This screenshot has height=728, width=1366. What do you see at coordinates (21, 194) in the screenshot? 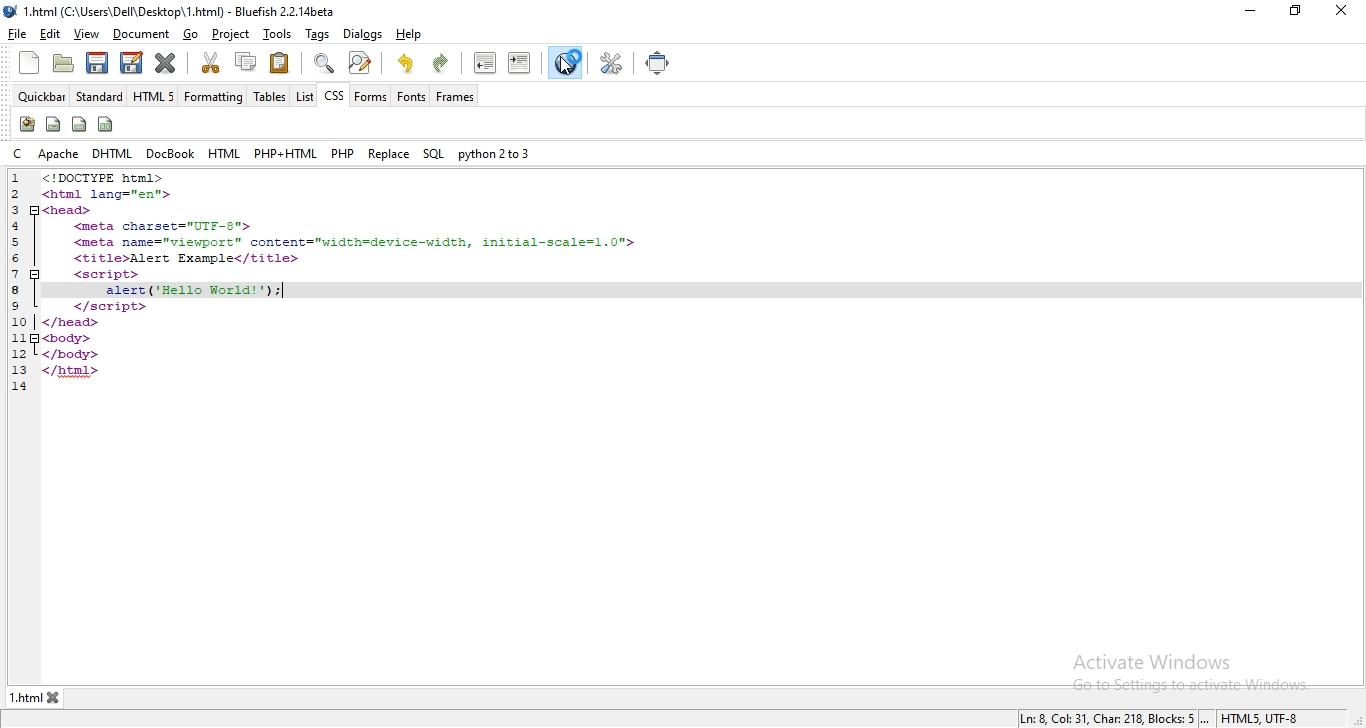
I see `2` at bounding box center [21, 194].